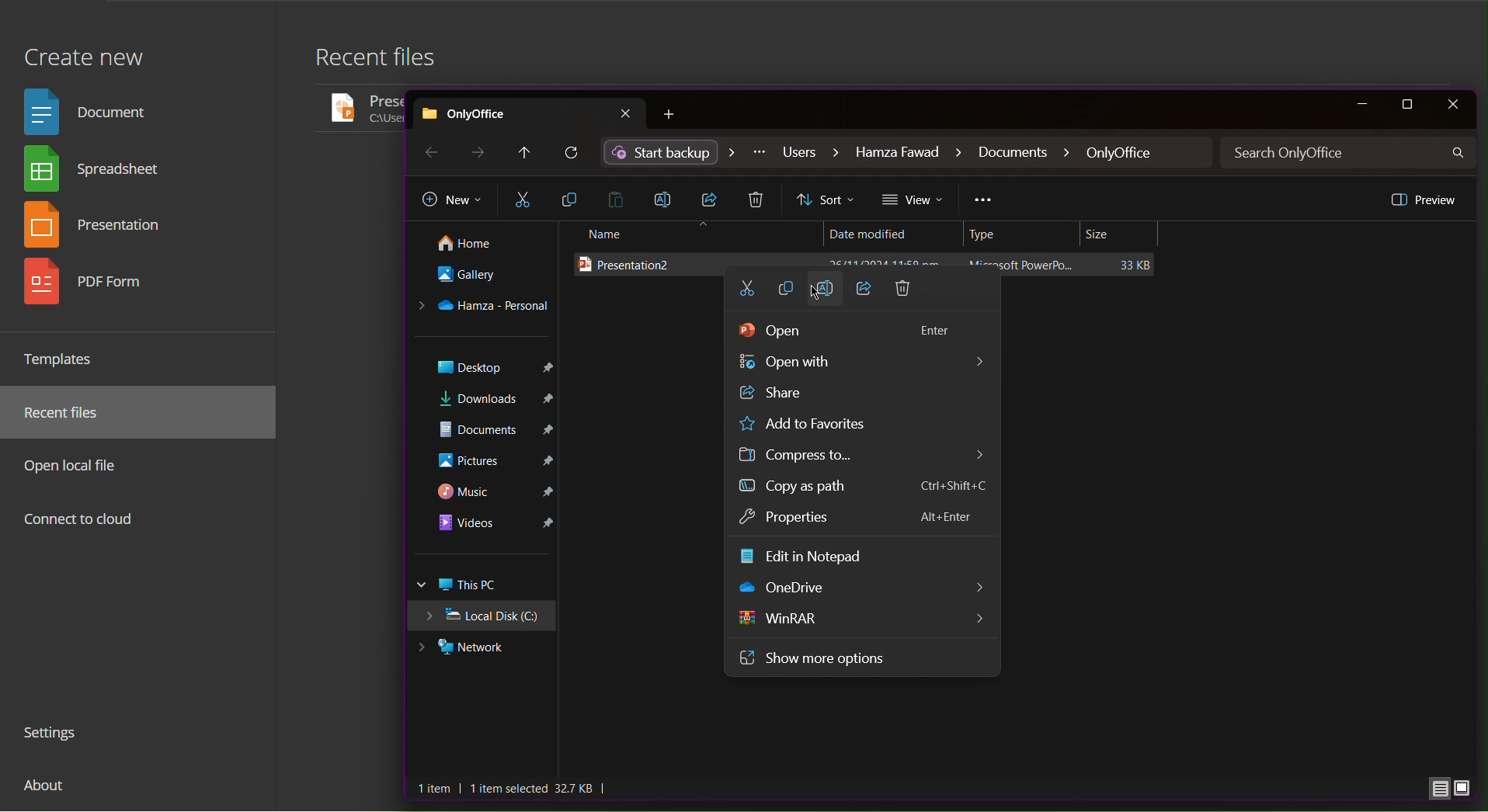  What do you see at coordinates (694, 234) in the screenshot?
I see `Name` at bounding box center [694, 234].